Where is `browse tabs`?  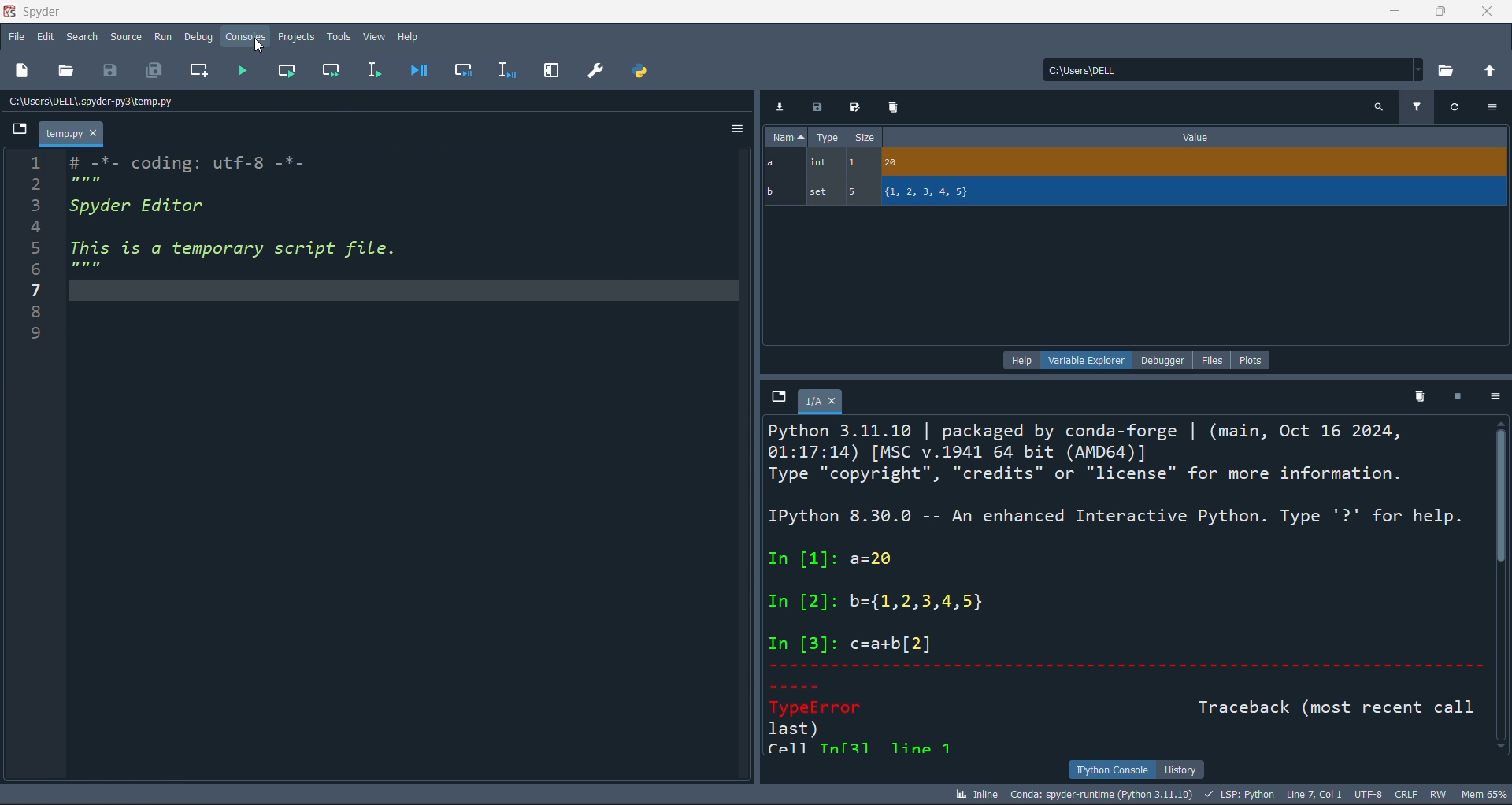 browse tabs is located at coordinates (778, 399).